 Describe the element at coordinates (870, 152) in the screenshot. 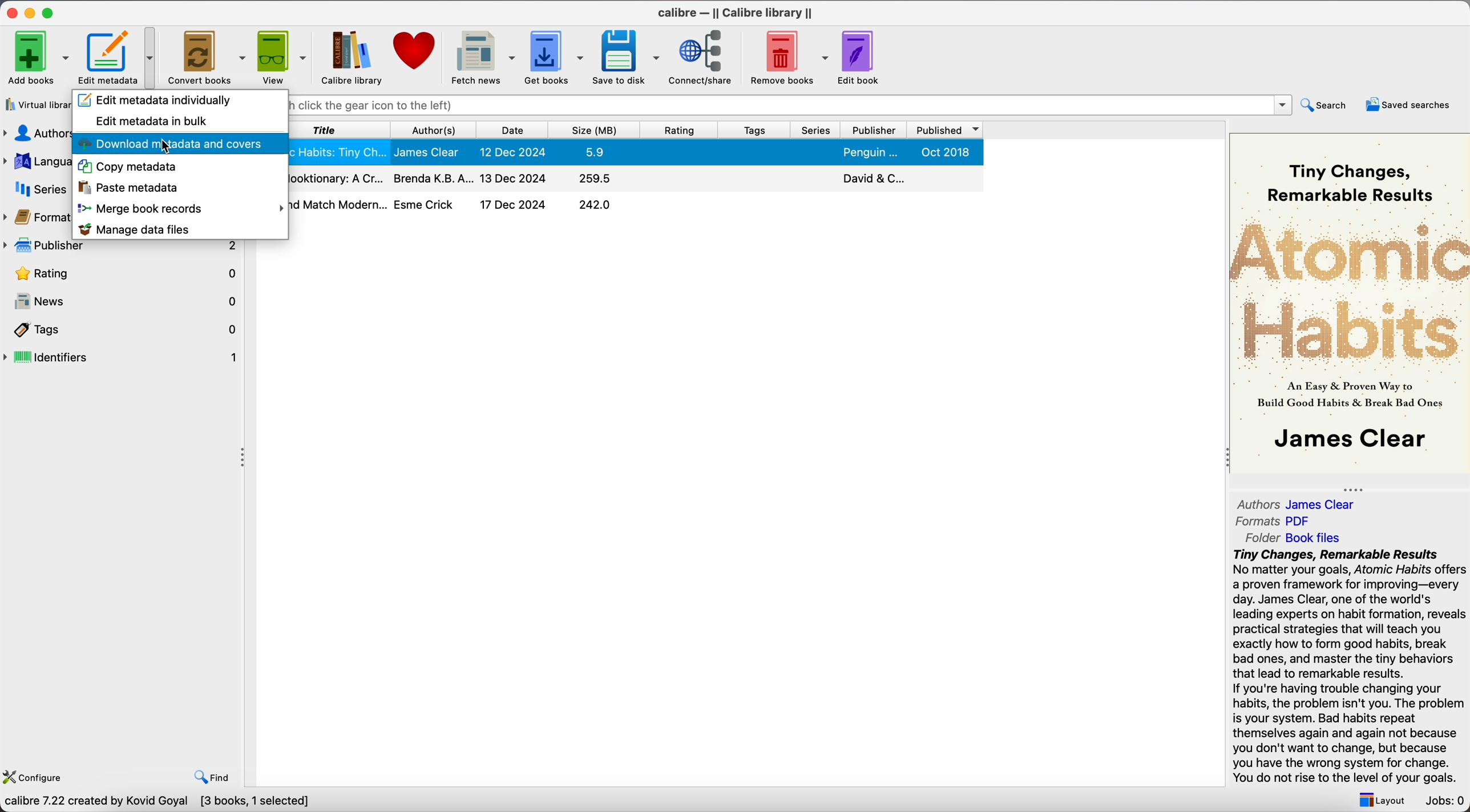

I see `Penguin...` at that location.